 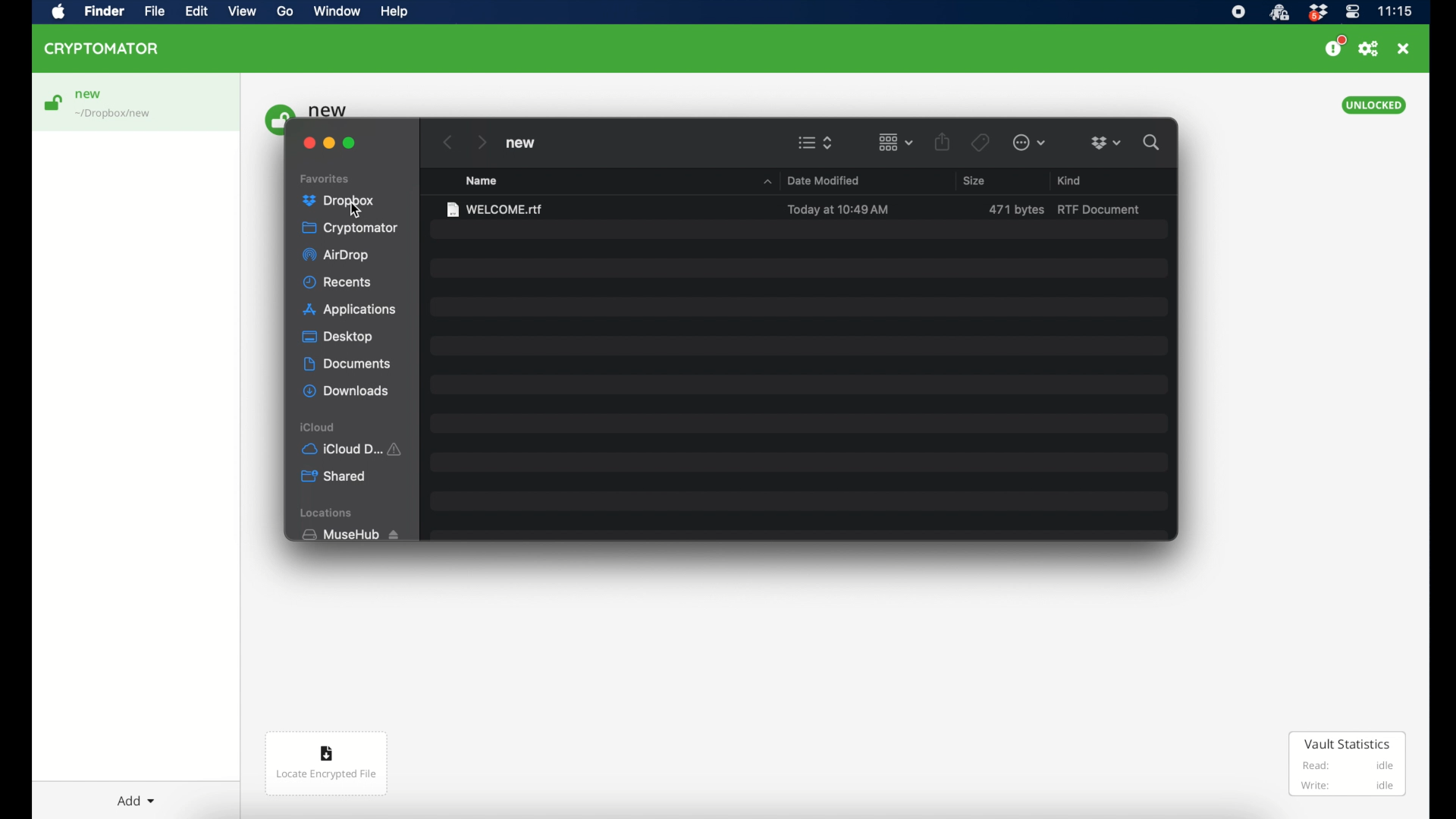 I want to click on window, so click(x=337, y=11).